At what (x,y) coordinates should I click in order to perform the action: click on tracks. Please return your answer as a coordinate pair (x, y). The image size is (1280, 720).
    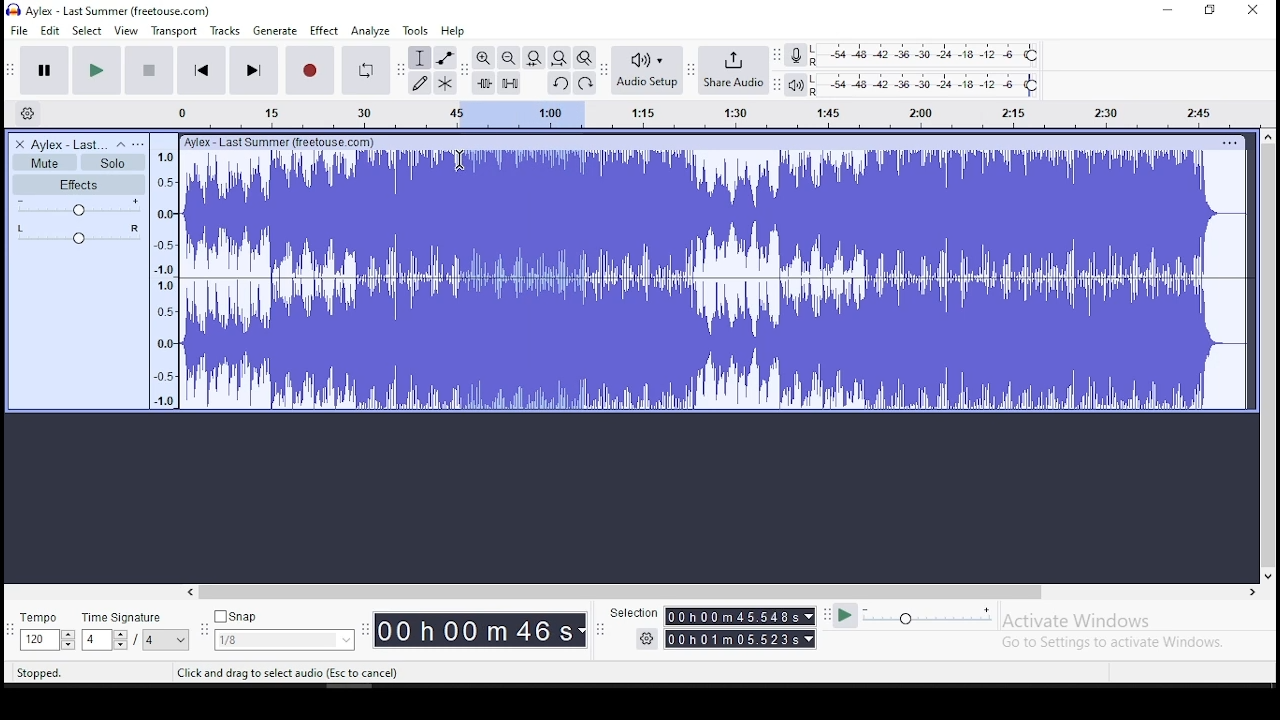
    Looking at the image, I should click on (225, 31).